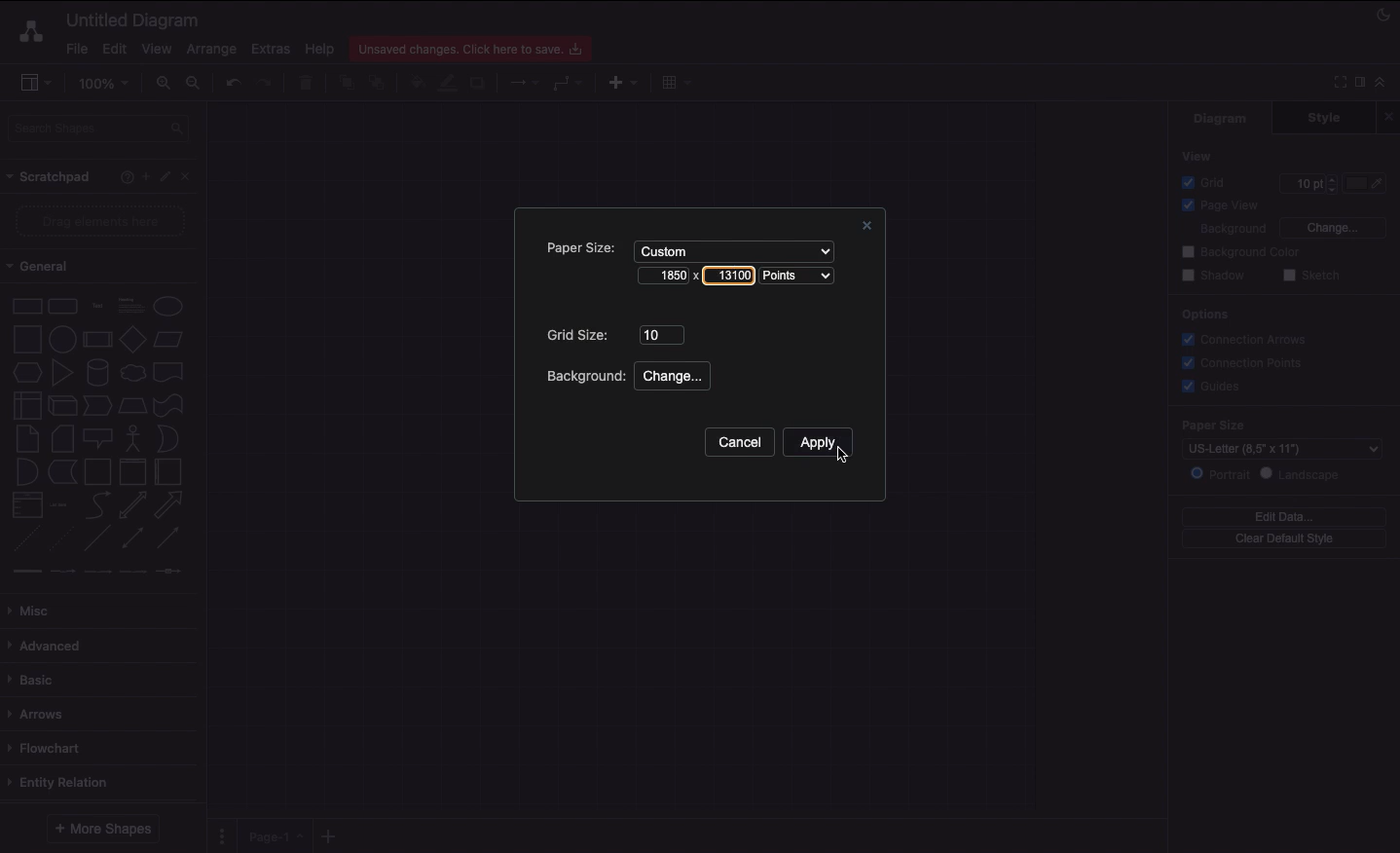 The height and width of the screenshot is (853, 1400). Describe the element at coordinates (319, 48) in the screenshot. I see `Help` at that location.